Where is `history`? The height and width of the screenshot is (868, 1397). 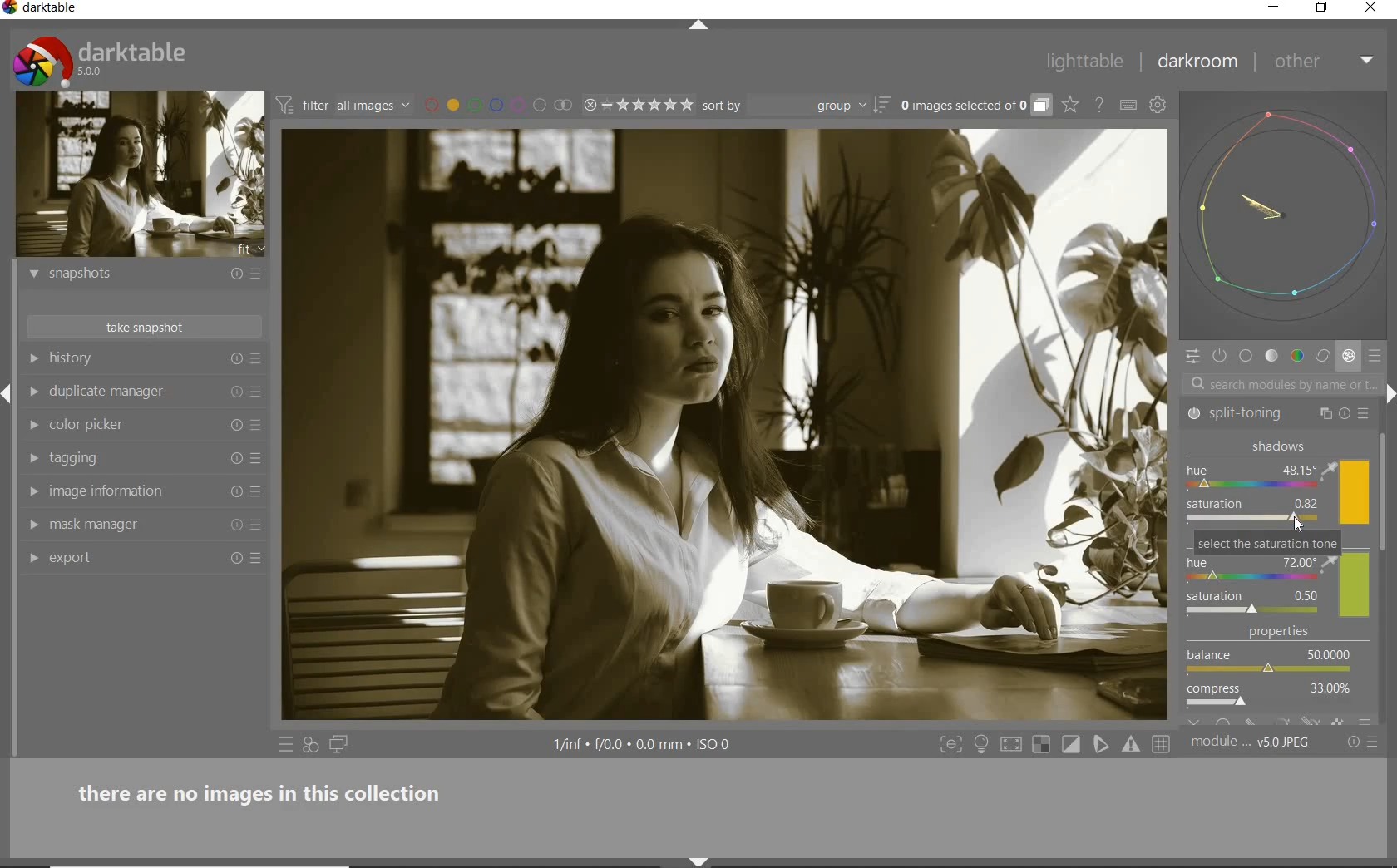
history is located at coordinates (135, 359).